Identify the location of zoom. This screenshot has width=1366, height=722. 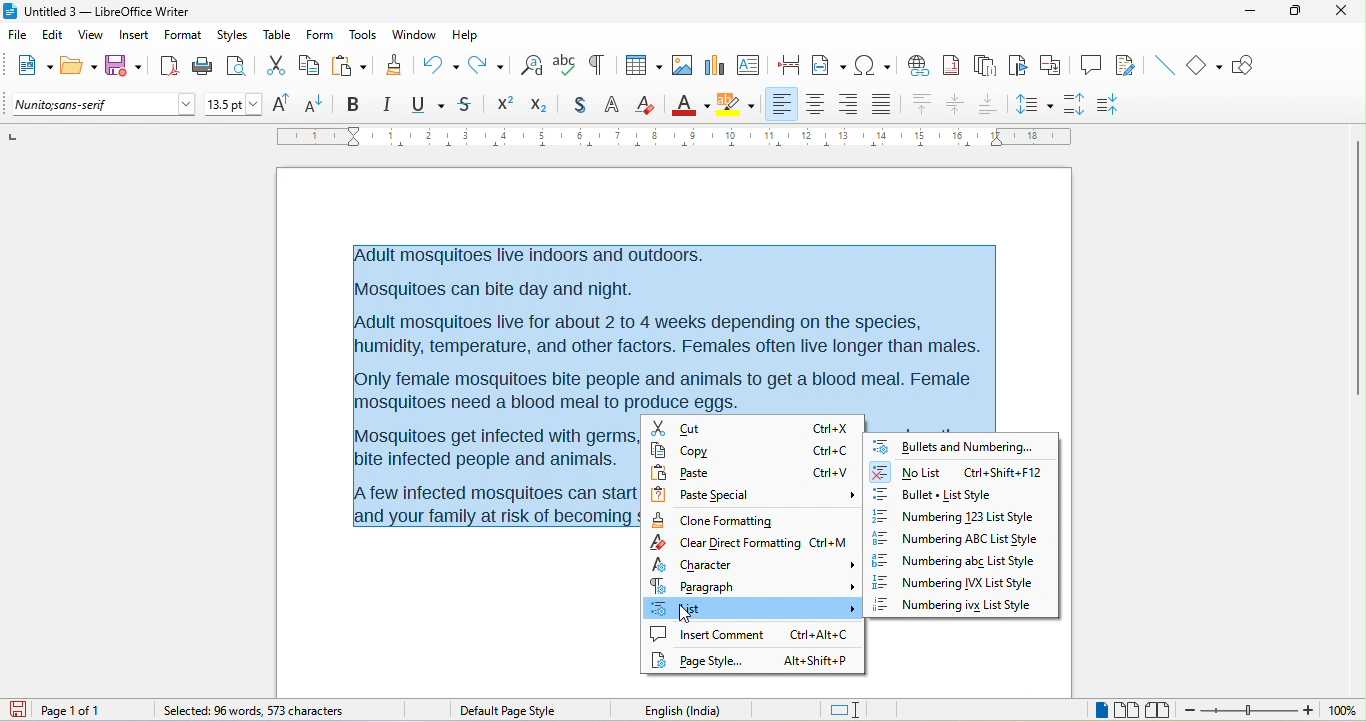
(1272, 711).